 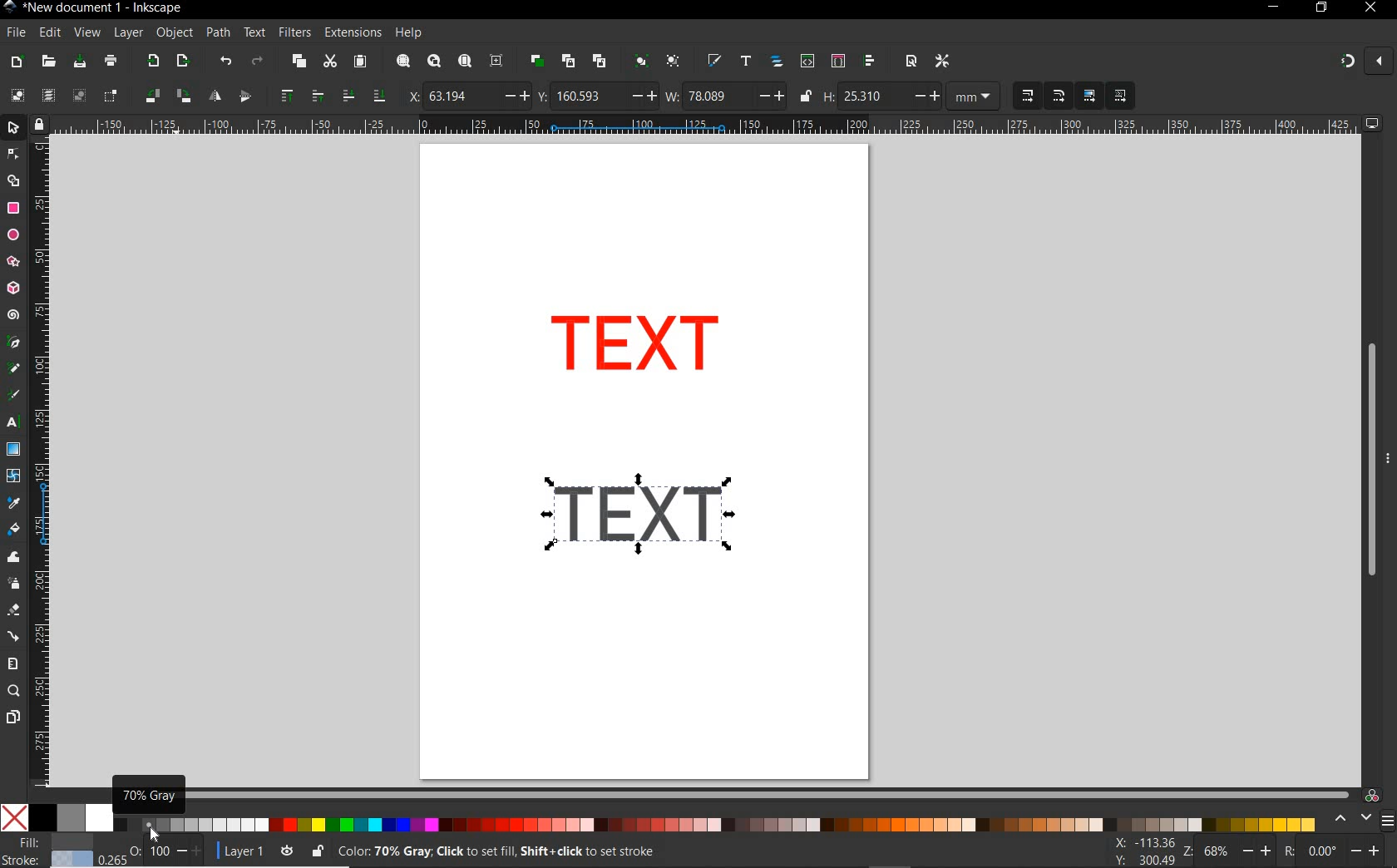 What do you see at coordinates (466, 95) in the screenshot?
I see `horizontal coordinate of selection` at bounding box center [466, 95].